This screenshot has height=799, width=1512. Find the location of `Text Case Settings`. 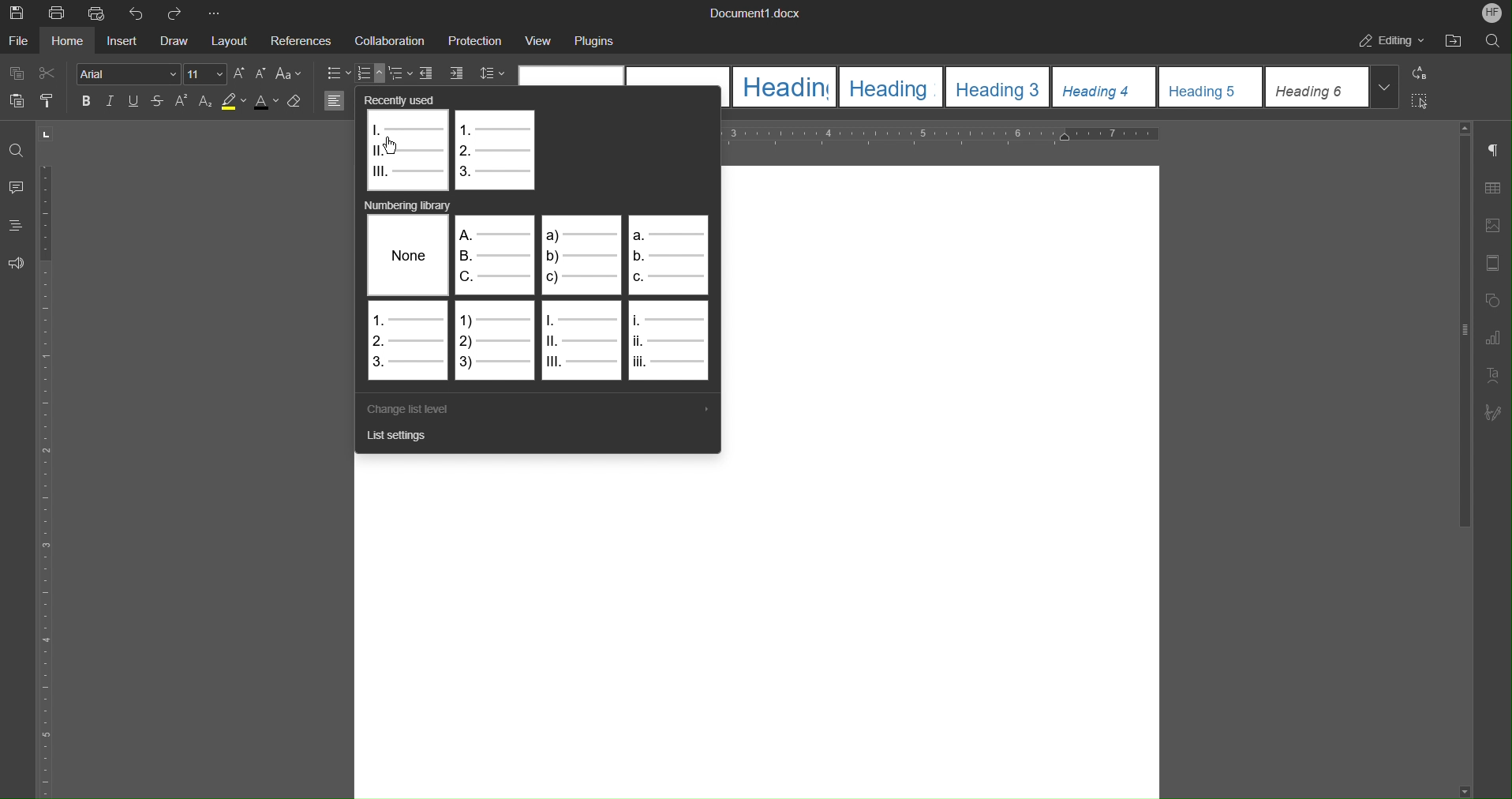

Text Case Settings is located at coordinates (290, 74).